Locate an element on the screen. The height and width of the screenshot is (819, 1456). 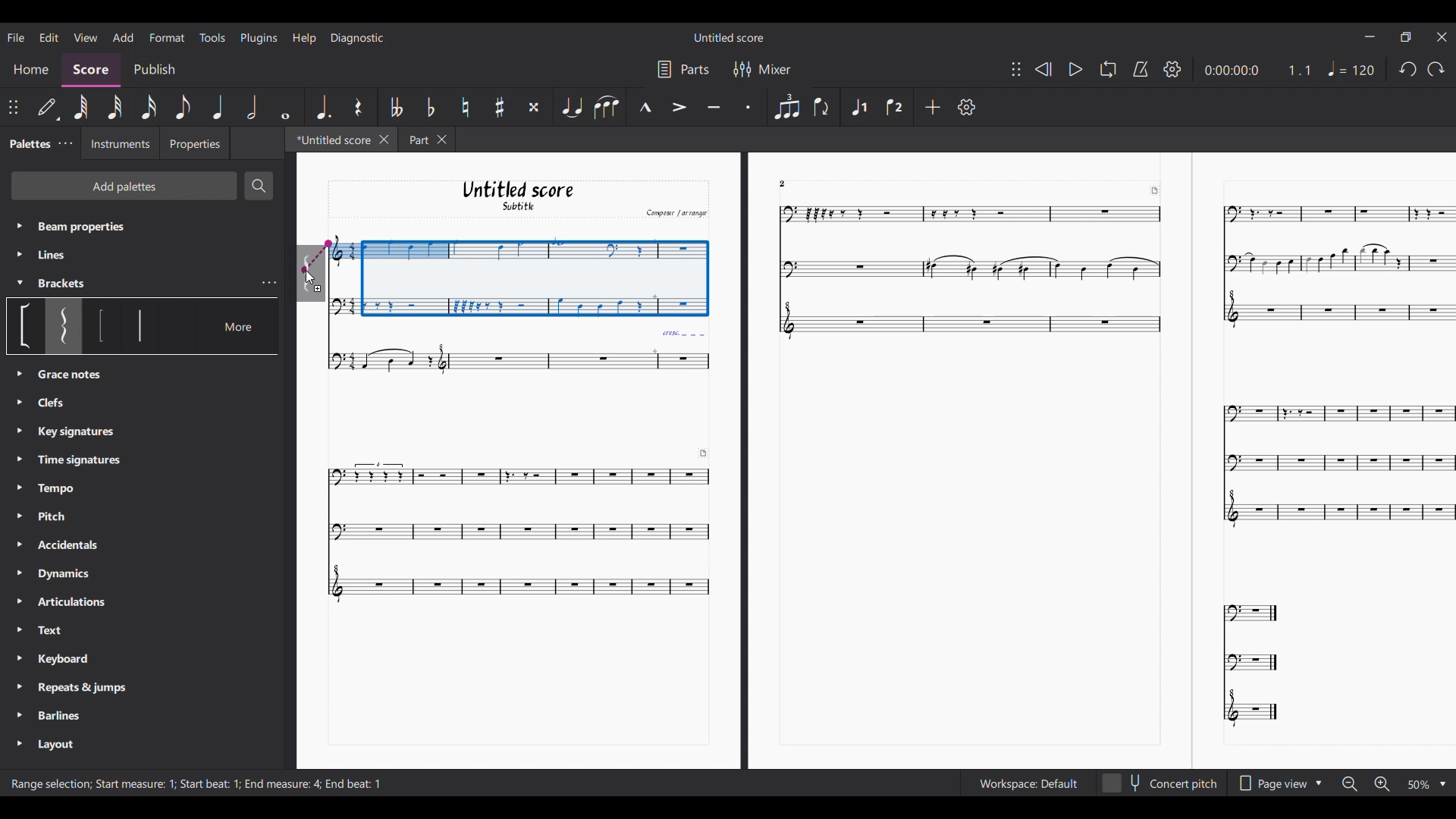
Indicates point of contact is located at coordinates (312, 271).